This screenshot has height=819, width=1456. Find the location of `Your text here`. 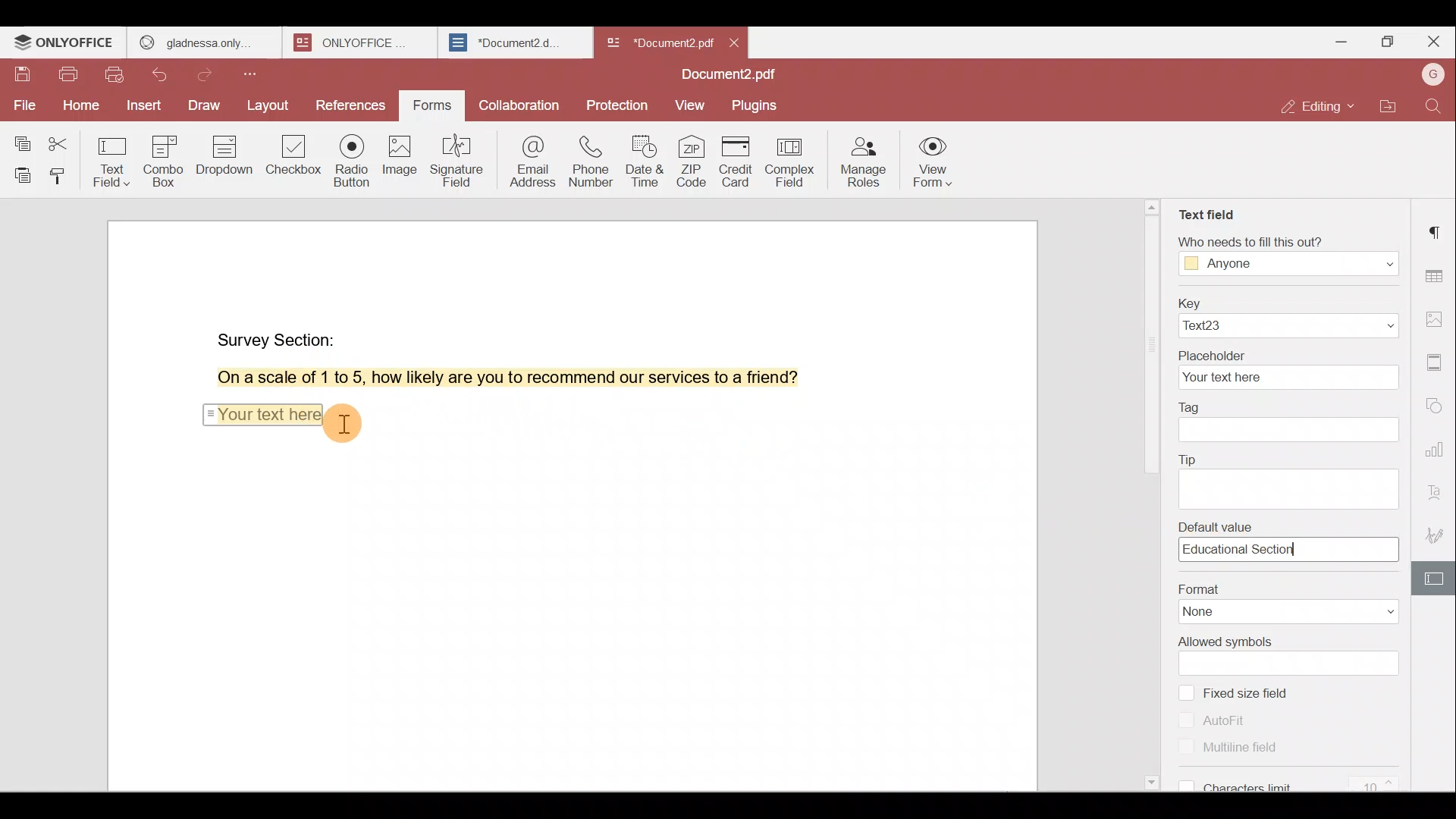

Your text here is located at coordinates (262, 413).